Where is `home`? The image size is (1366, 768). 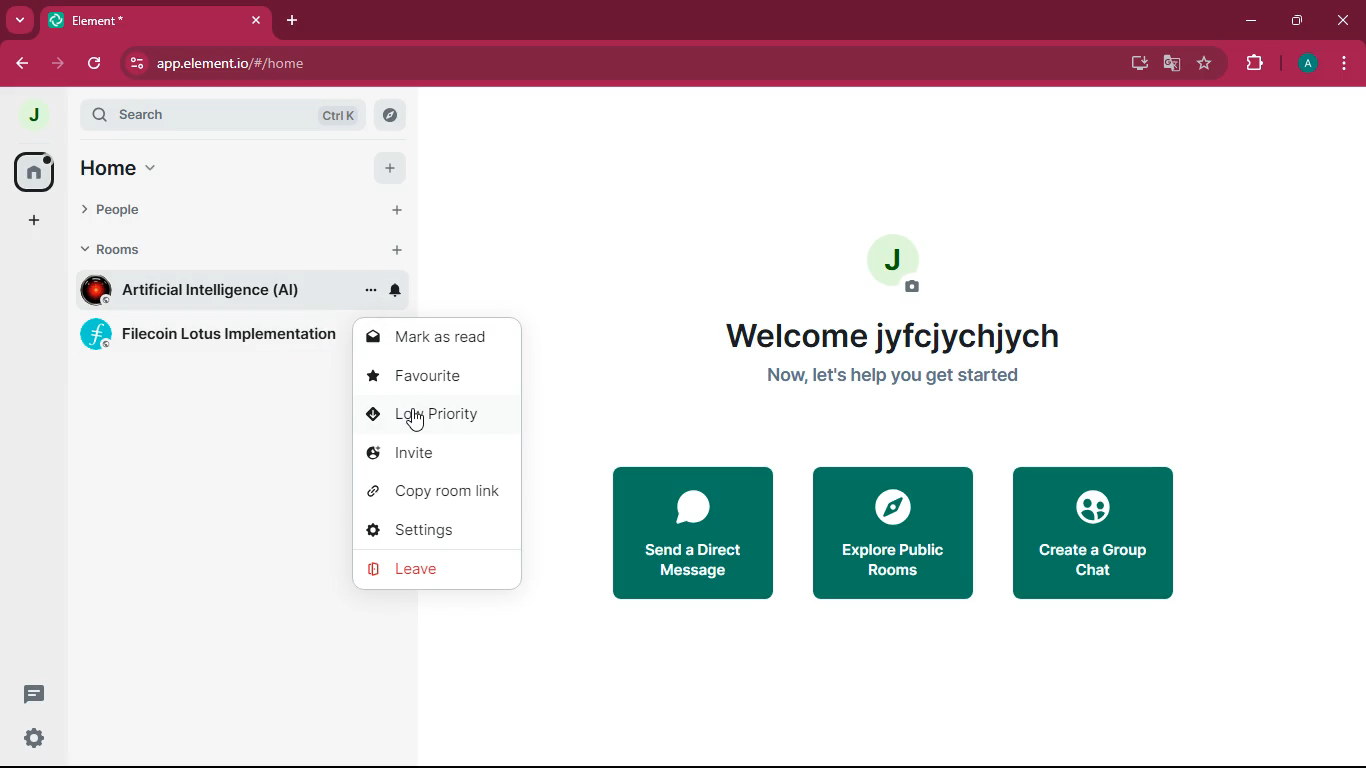 home is located at coordinates (35, 173).